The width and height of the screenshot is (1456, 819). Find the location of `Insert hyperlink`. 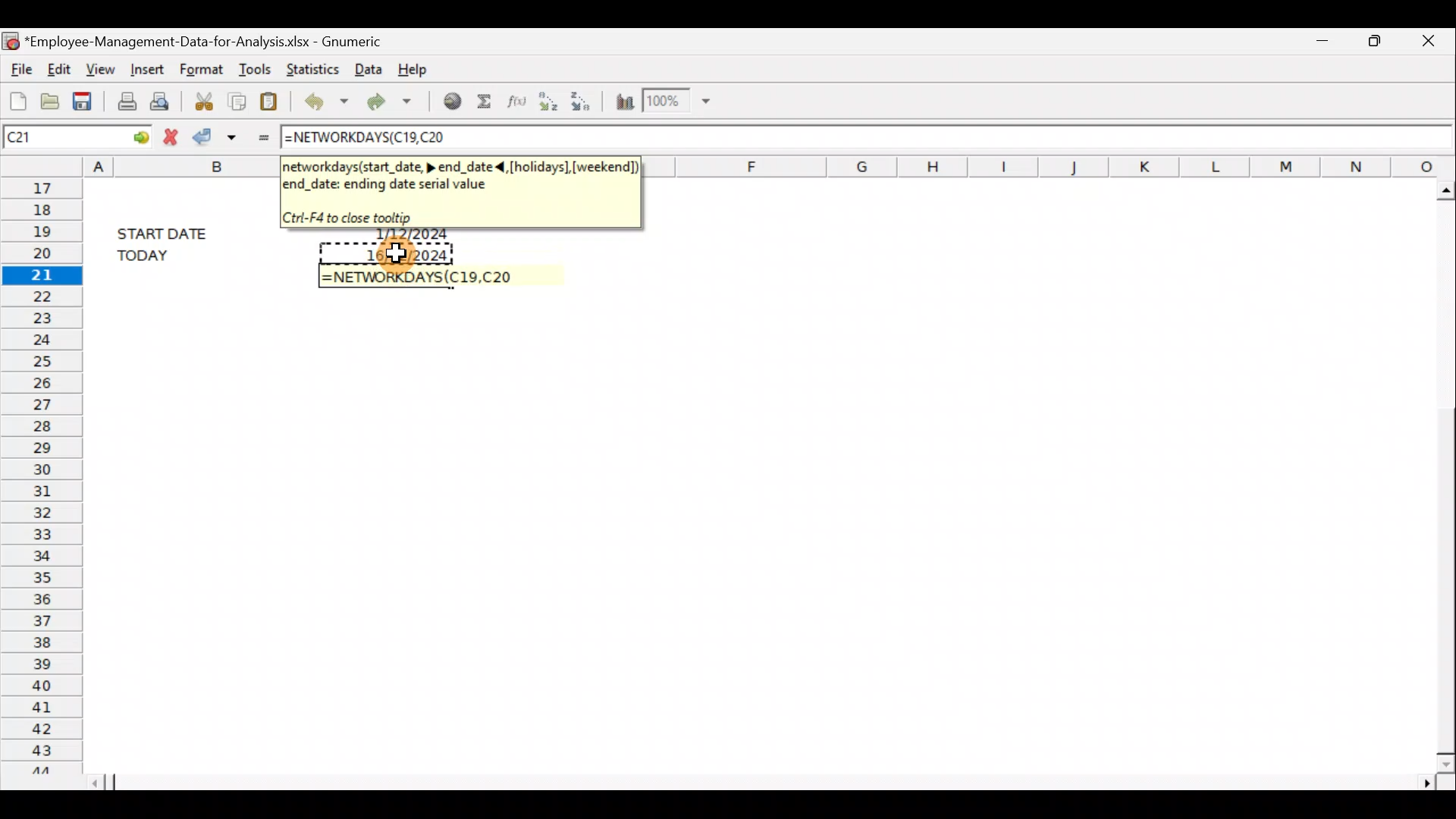

Insert hyperlink is located at coordinates (447, 102).